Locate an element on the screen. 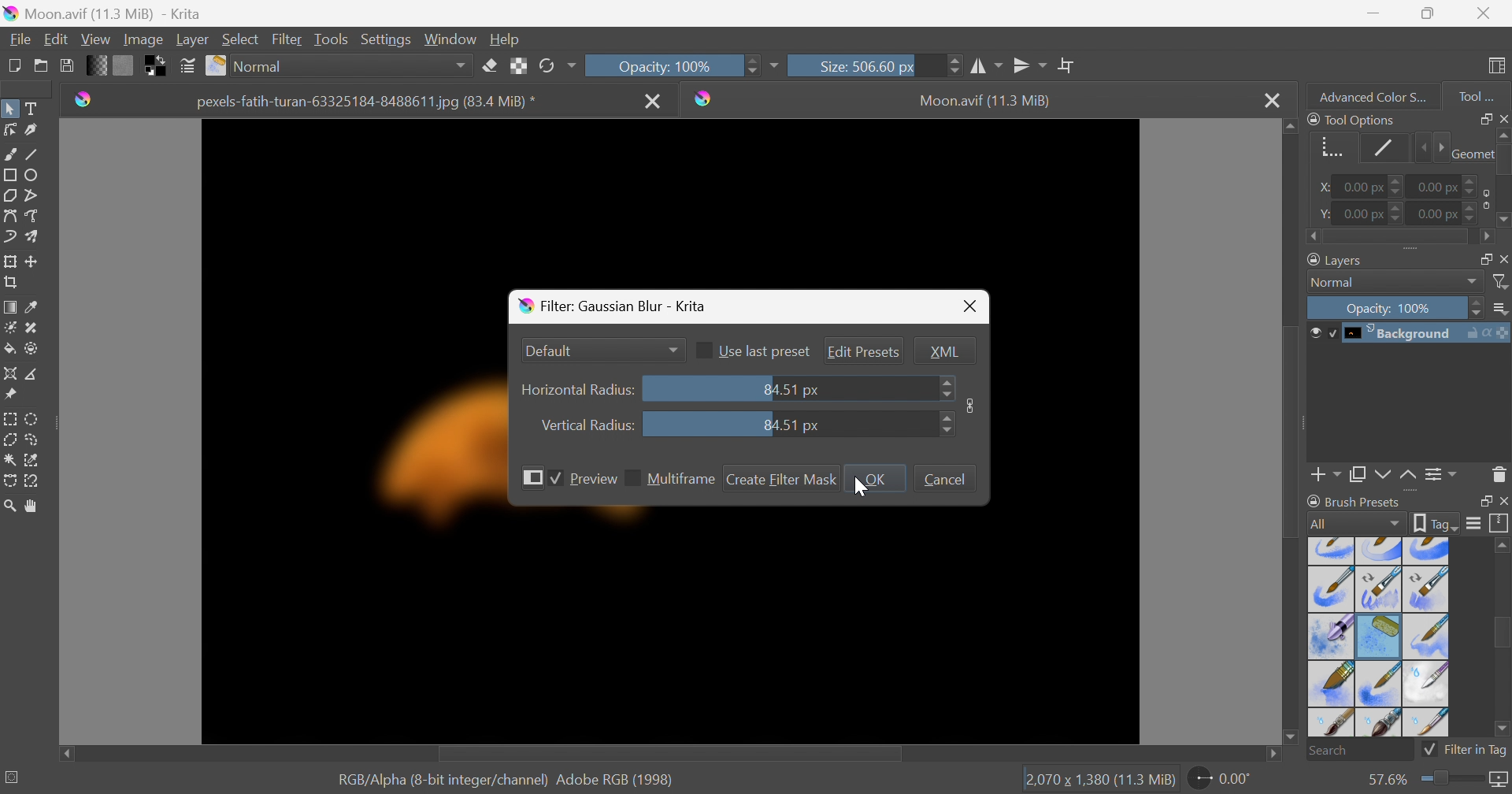 This screenshot has width=1512, height=794. RGB/Alpha (8-bit integer/channel) is located at coordinates (439, 781).